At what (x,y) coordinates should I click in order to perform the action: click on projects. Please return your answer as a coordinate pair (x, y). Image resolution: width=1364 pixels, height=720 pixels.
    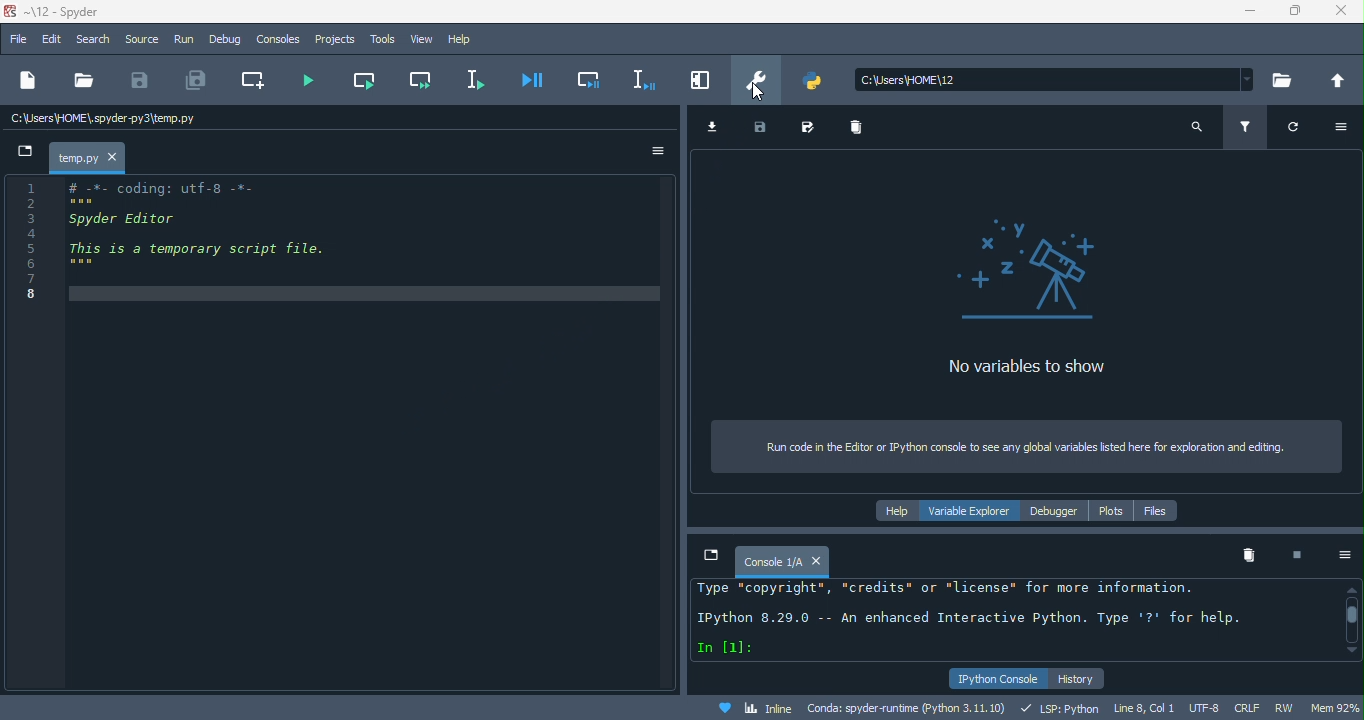
    Looking at the image, I should click on (335, 39).